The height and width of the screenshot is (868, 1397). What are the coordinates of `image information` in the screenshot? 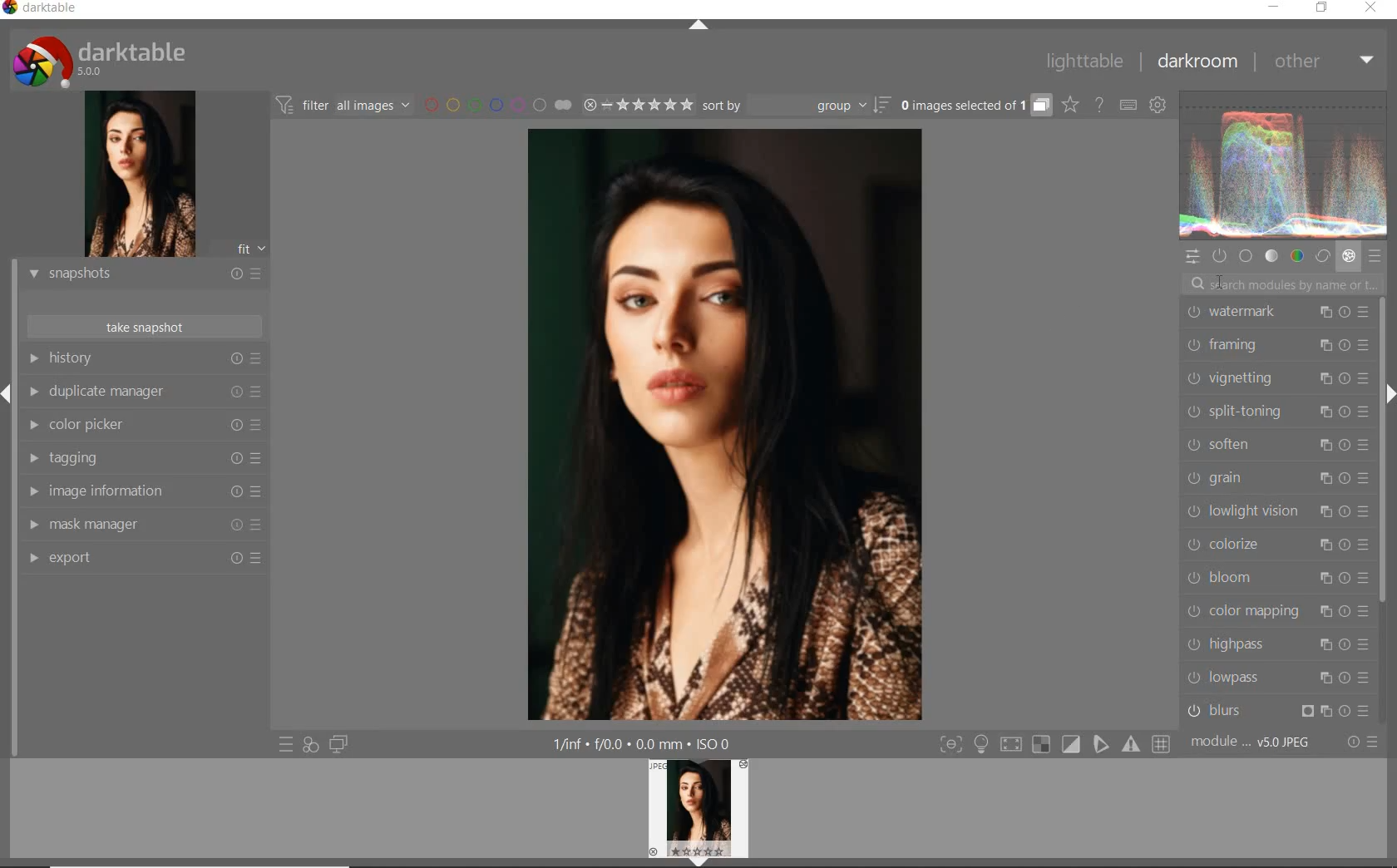 It's located at (143, 491).